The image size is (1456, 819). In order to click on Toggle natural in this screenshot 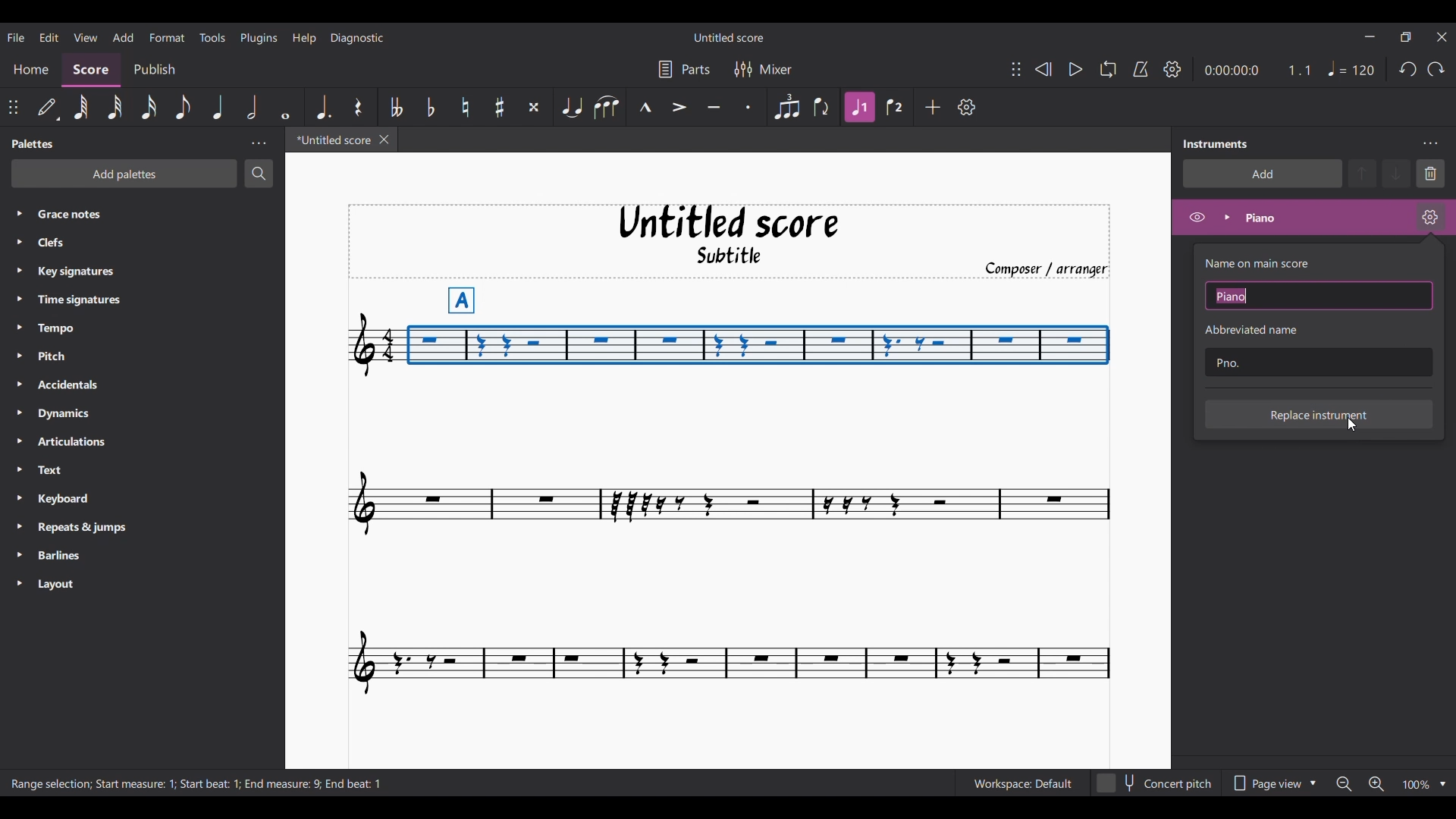, I will do `click(465, 107)`.